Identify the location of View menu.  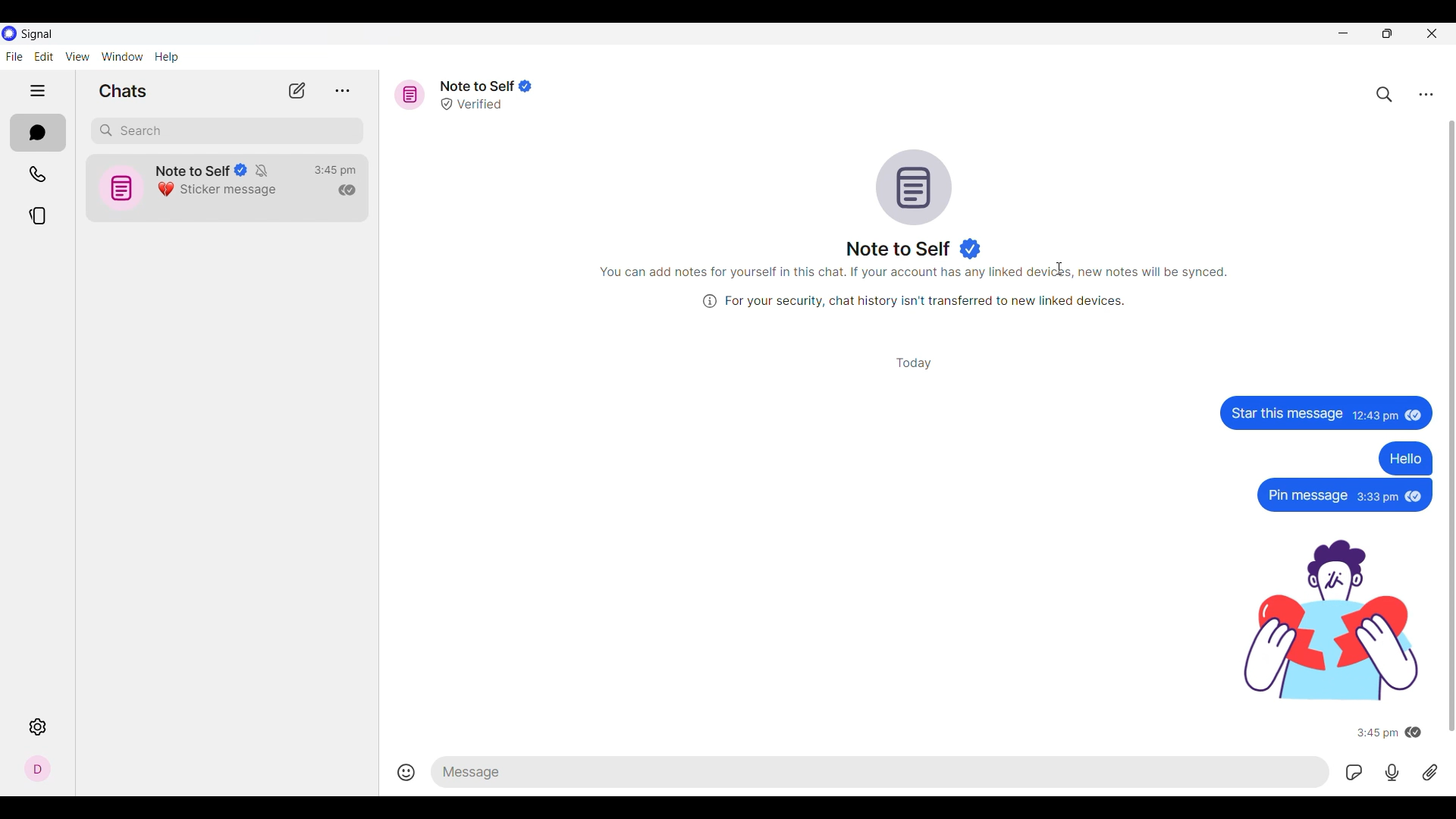
(77, 56).